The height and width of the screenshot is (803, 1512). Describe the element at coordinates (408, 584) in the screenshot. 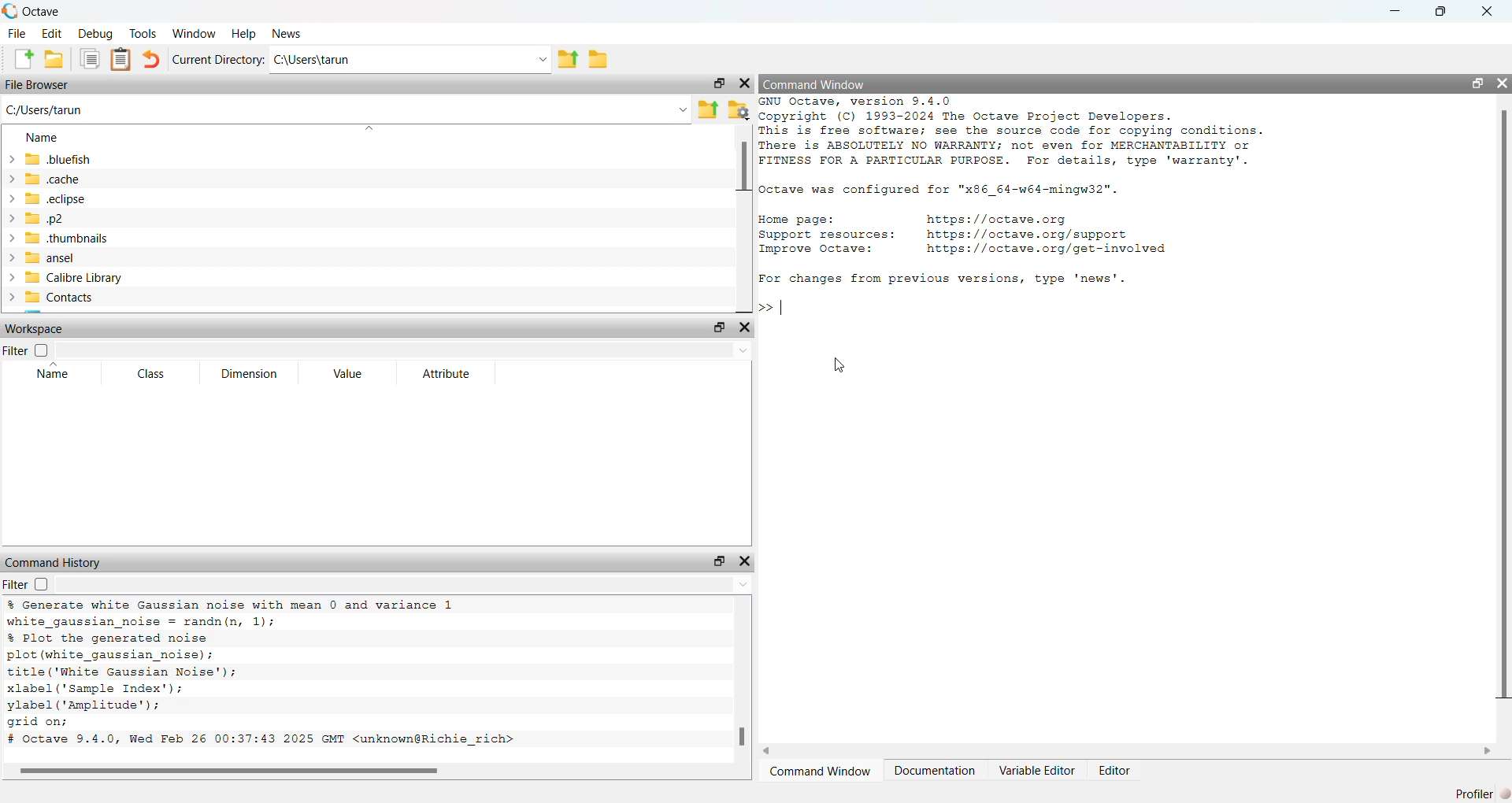

I see `dropdown` at that location.